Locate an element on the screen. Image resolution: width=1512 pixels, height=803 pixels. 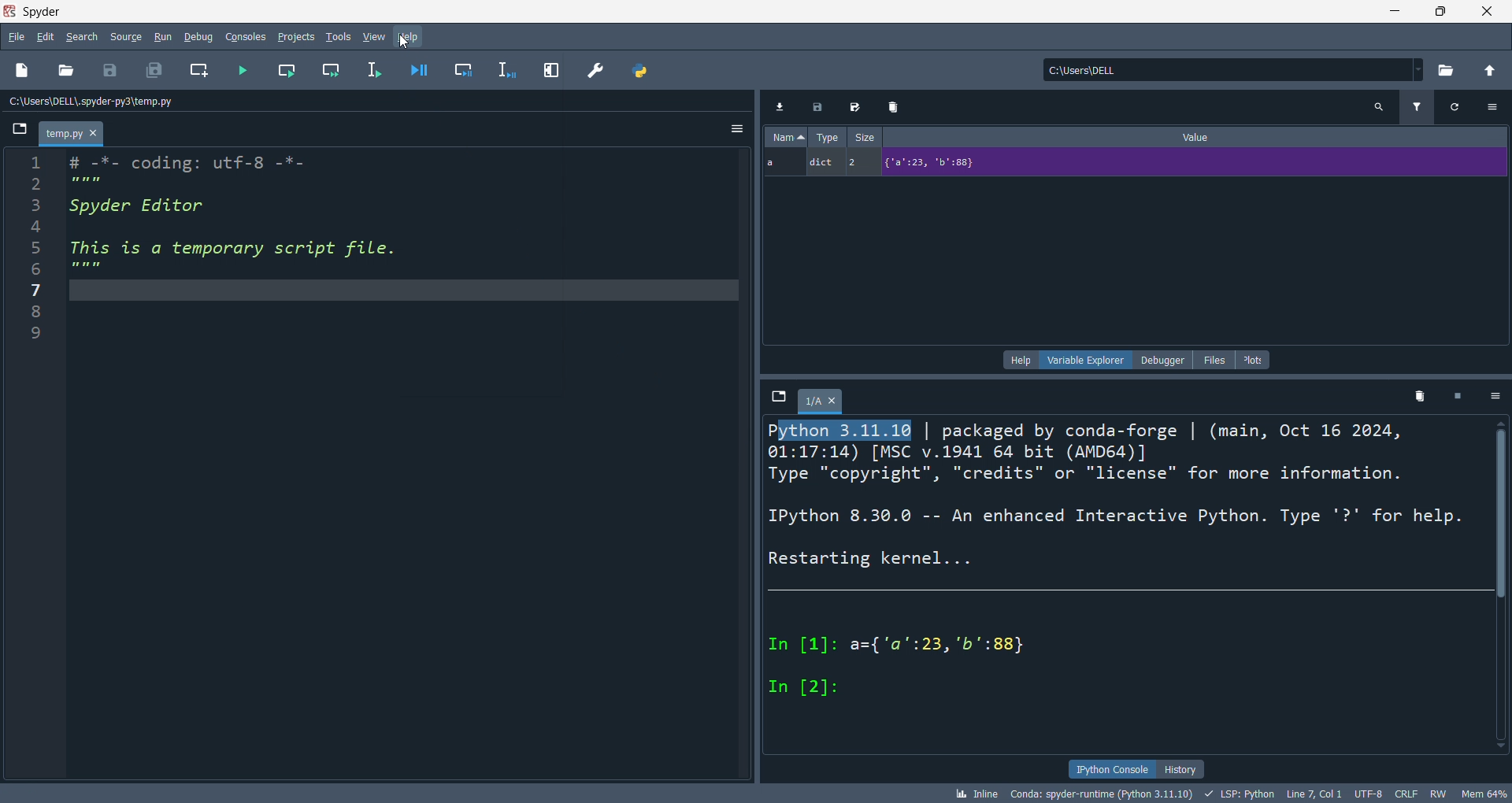
view is located at coordinates (376, 38).